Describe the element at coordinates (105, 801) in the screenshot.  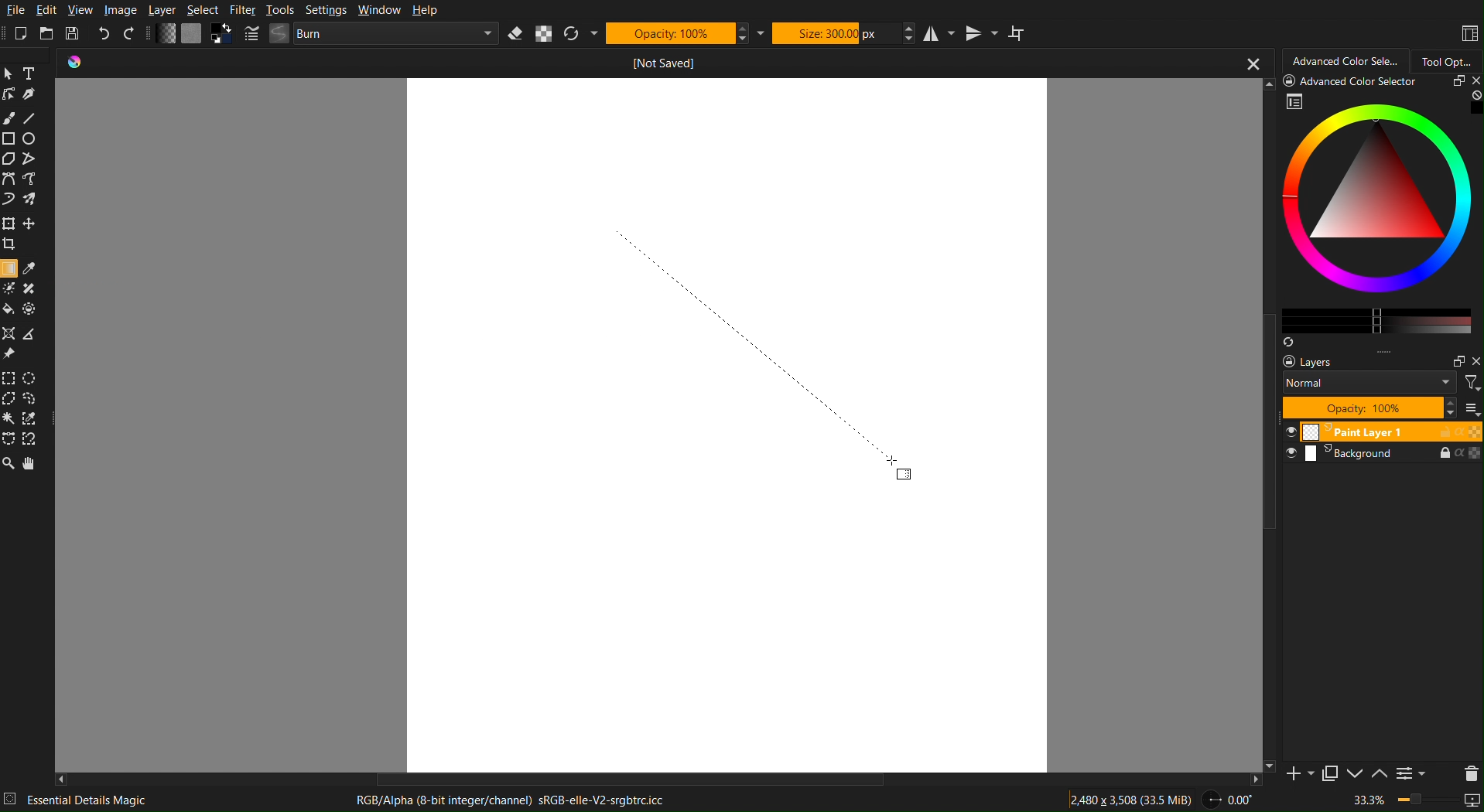
I see `Essential Details Magic` at that location.